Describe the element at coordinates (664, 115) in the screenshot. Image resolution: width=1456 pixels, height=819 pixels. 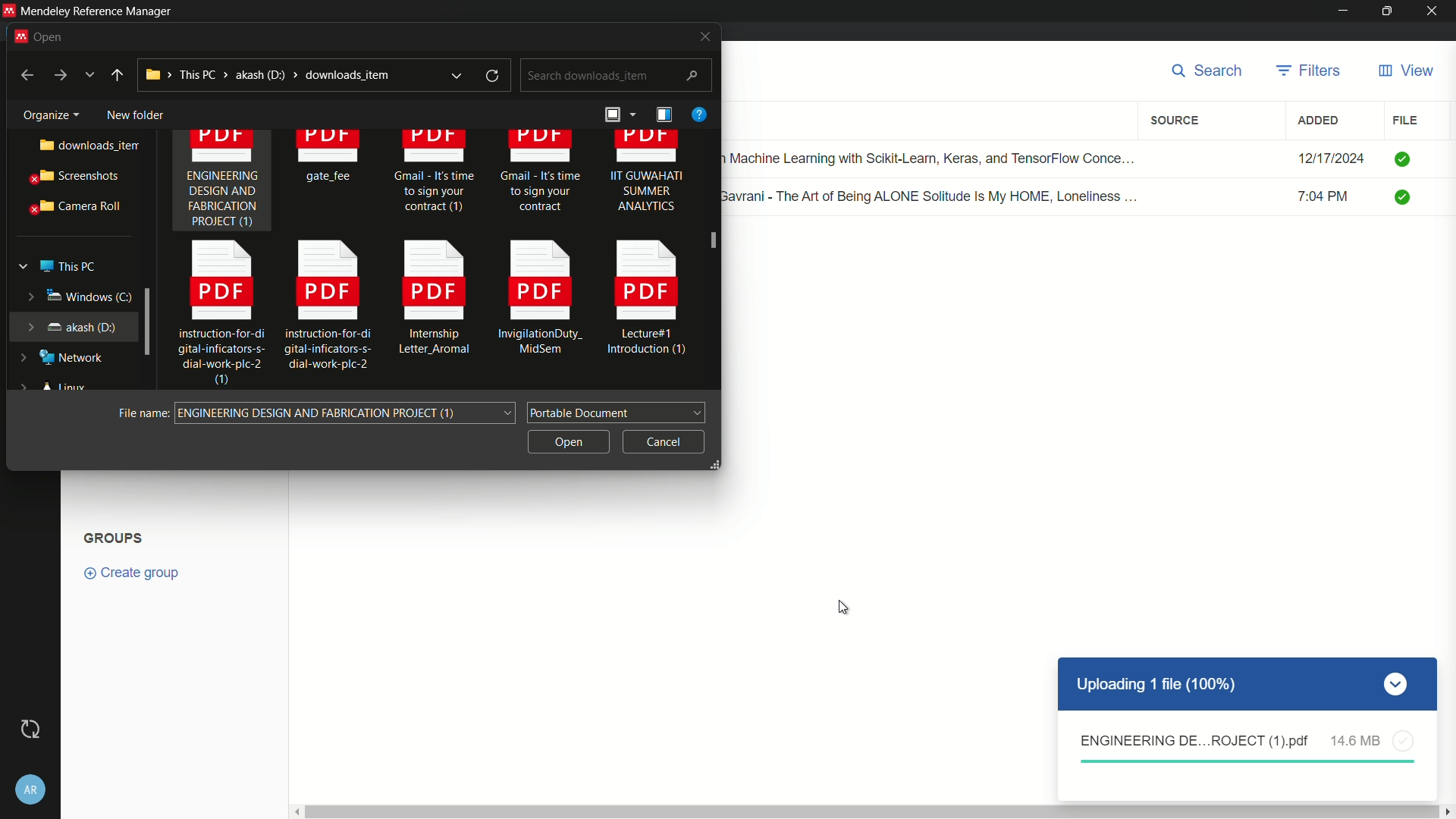
I see `details` at that location.